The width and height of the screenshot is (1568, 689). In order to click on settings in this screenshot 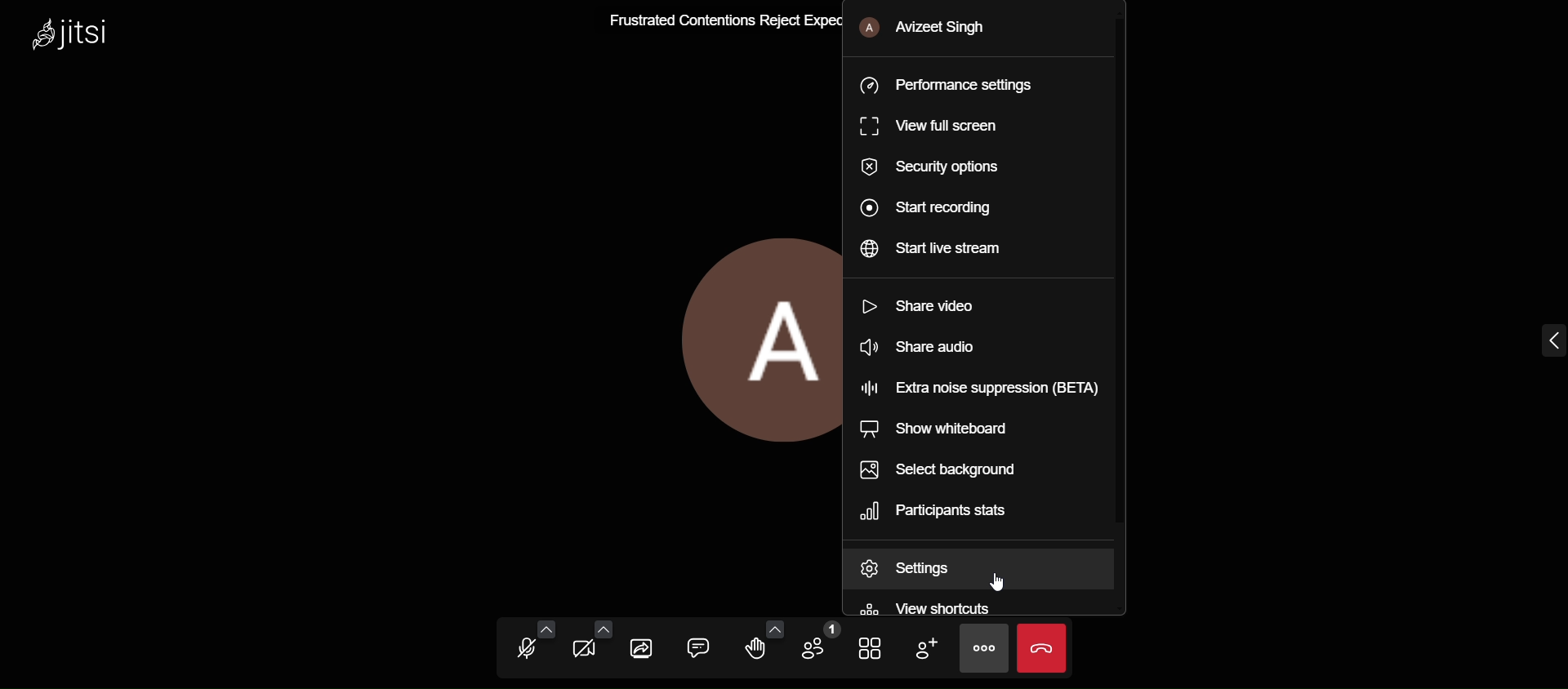, I will do `click(977, 567)`.